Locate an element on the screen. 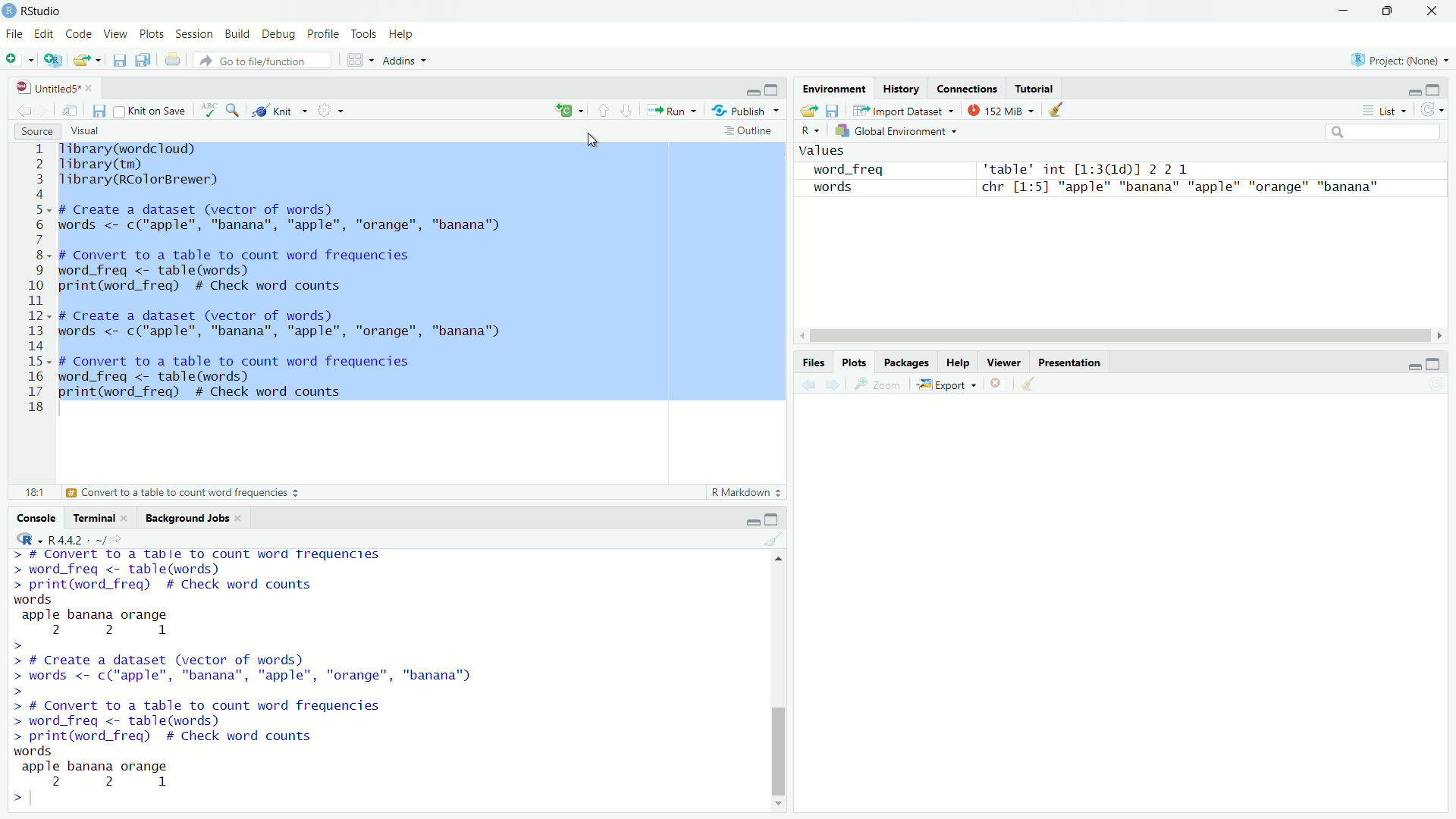 The height and width of the screenshot is (819, 1456). Settings is located at coordinates (331, 110).